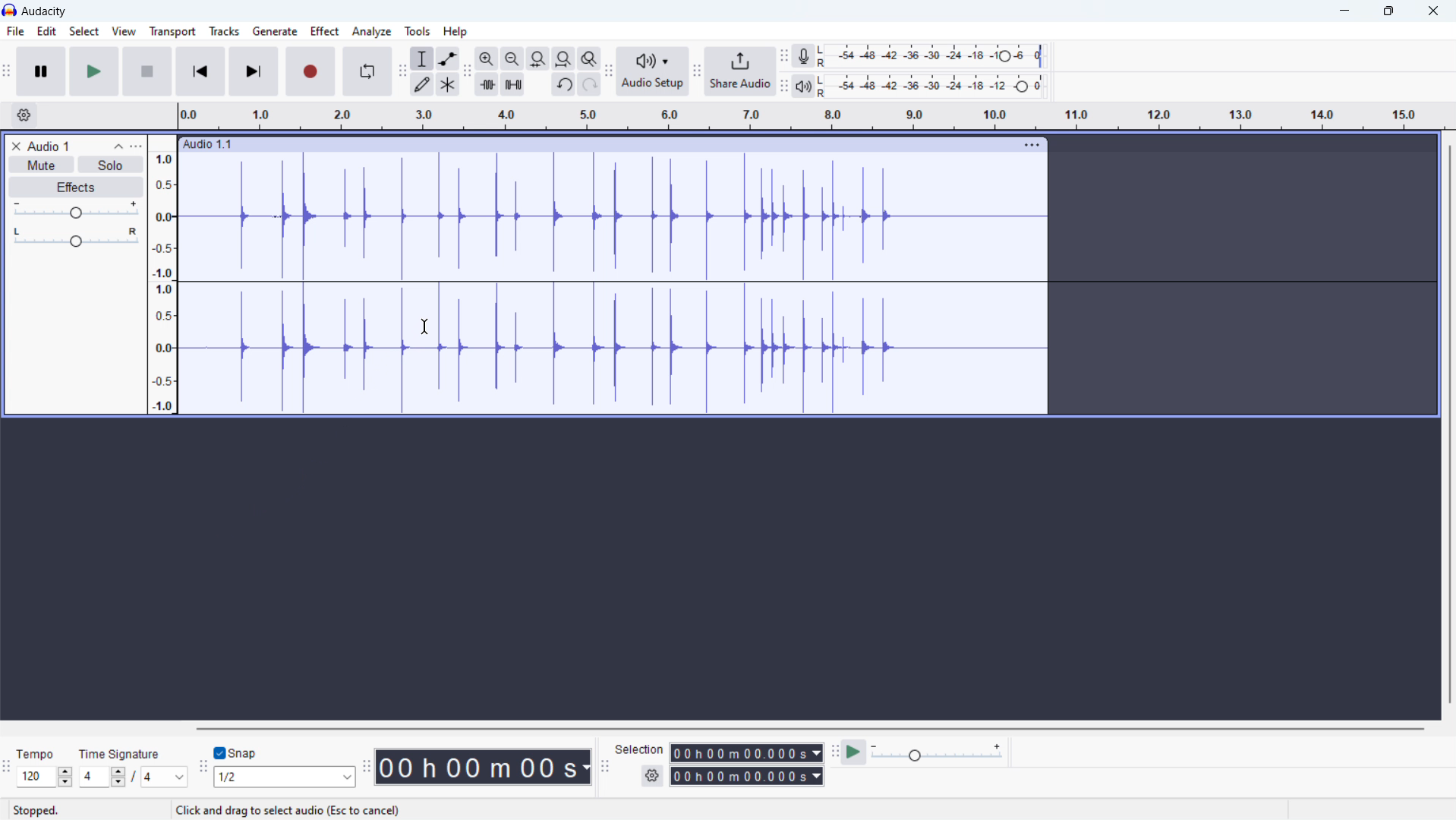 The width and height of the screenshot is (1456, 820). I want to click on 00h00m00.000s  (start time), so click(748, 752).